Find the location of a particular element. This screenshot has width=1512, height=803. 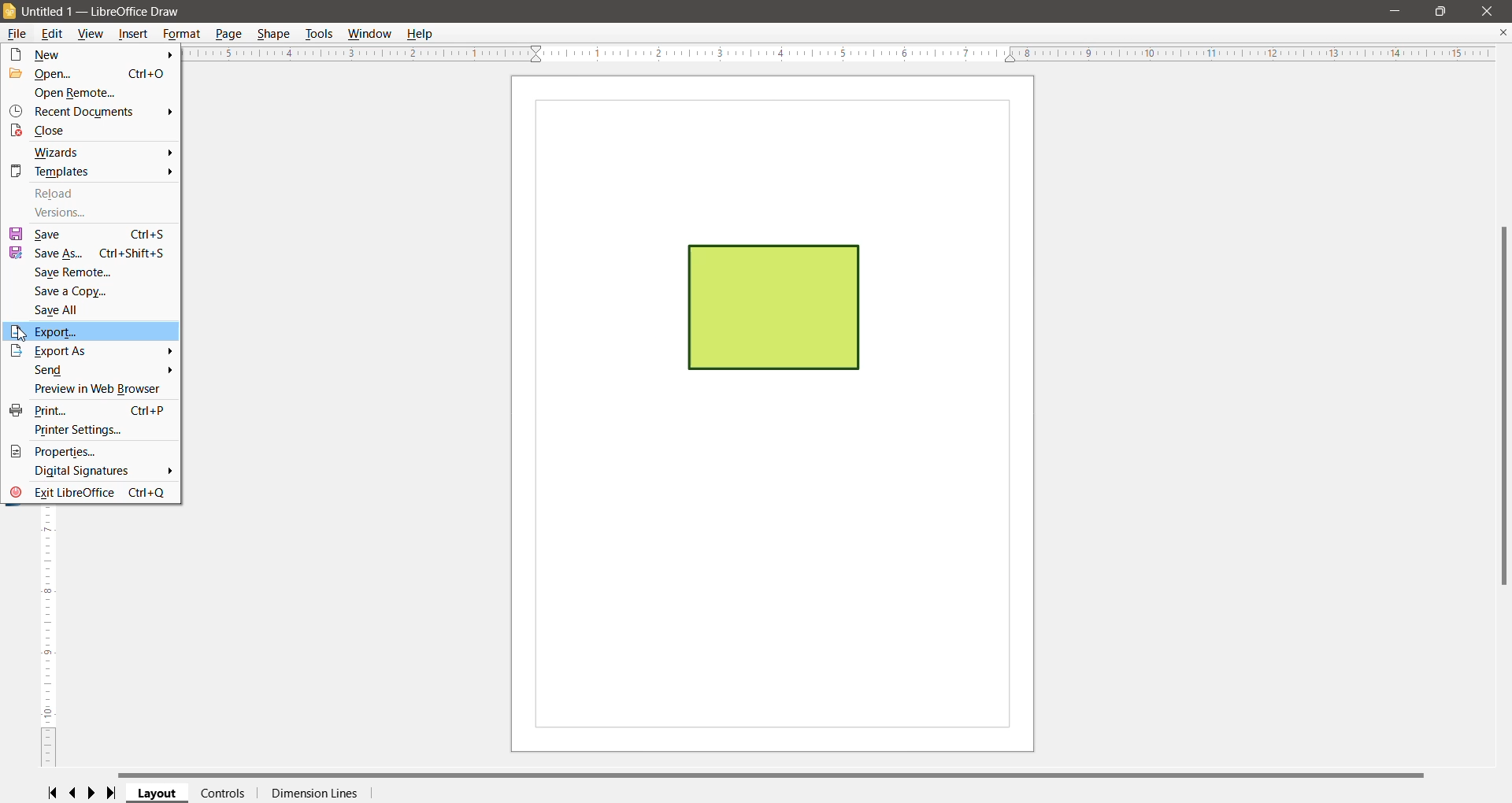

Printer Settings is located at coordinates (80, 430).